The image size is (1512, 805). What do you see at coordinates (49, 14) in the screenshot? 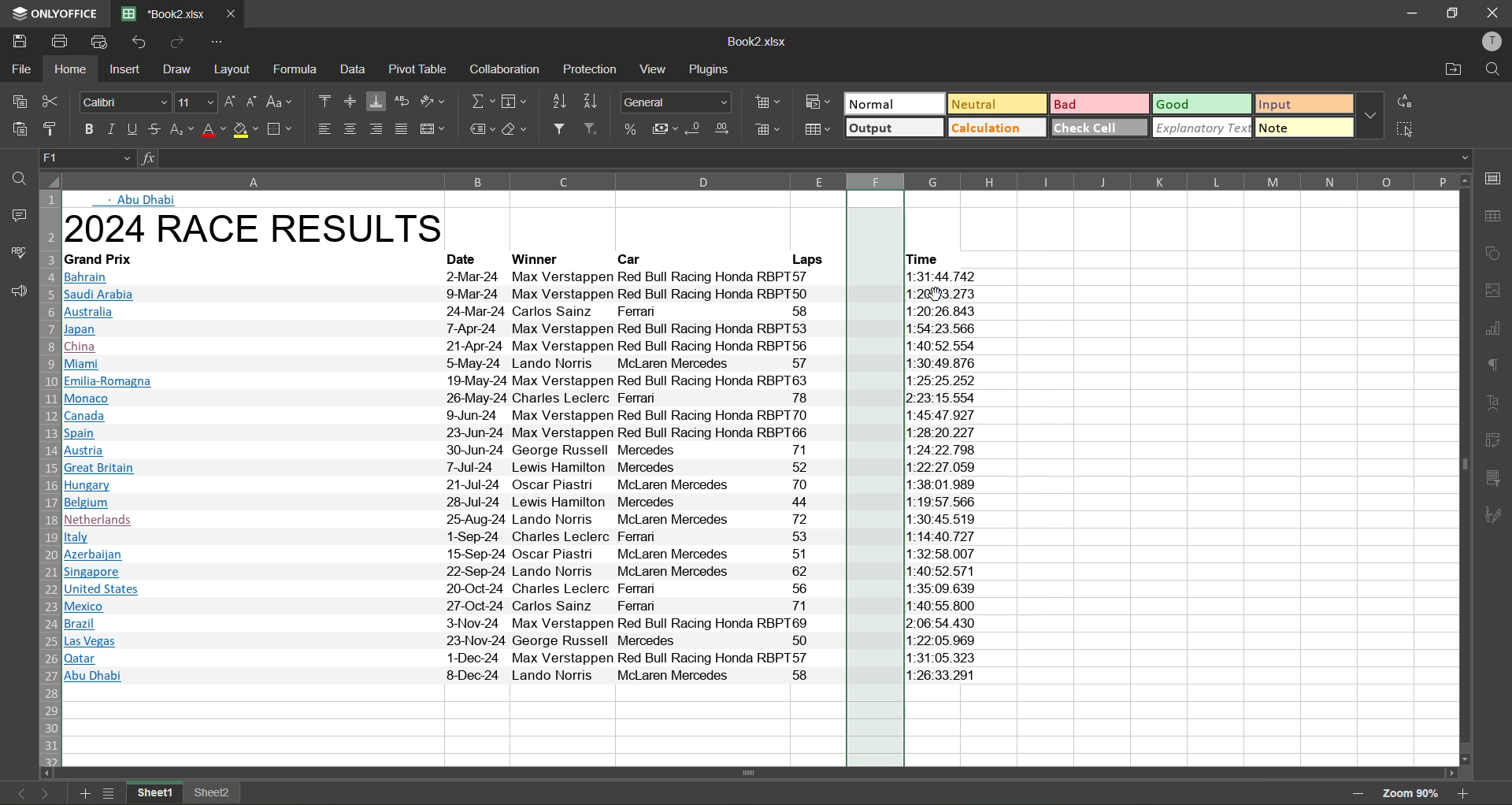
I see `app name: only office` at bounding box center [49, 14].